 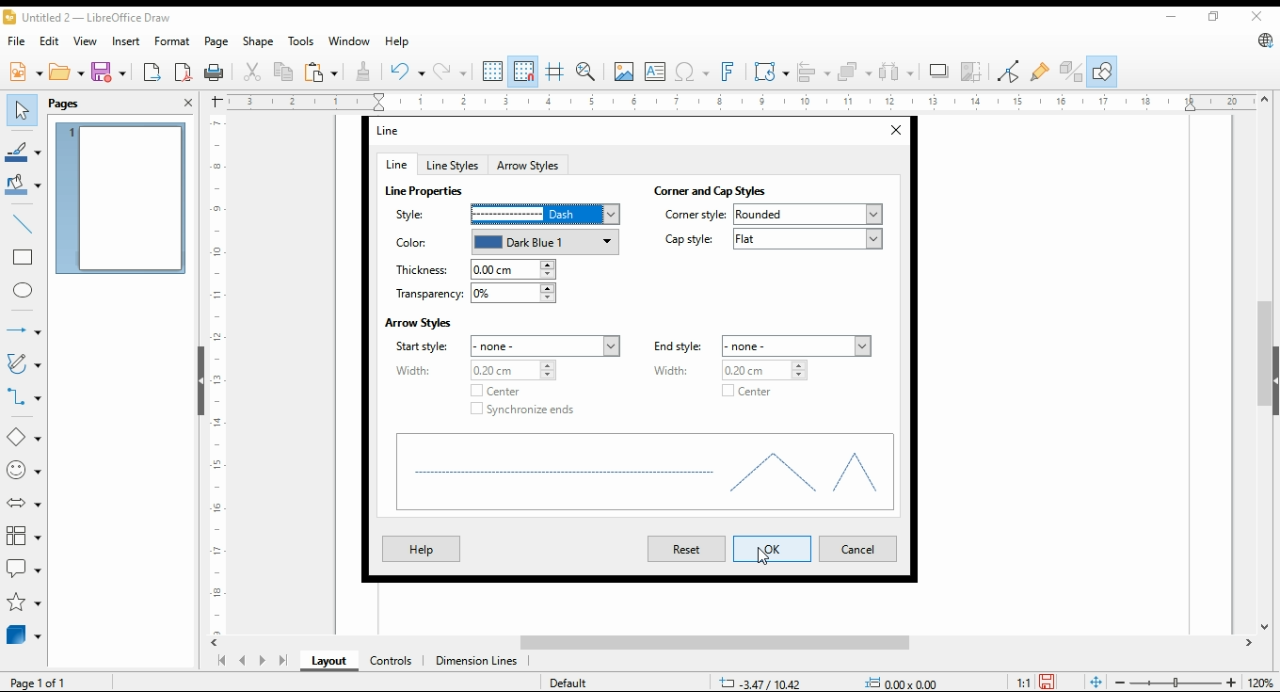 What do you see at coordinates (449, 71) in the screenshot?
I see `redo` at bounding box center [449, 71].